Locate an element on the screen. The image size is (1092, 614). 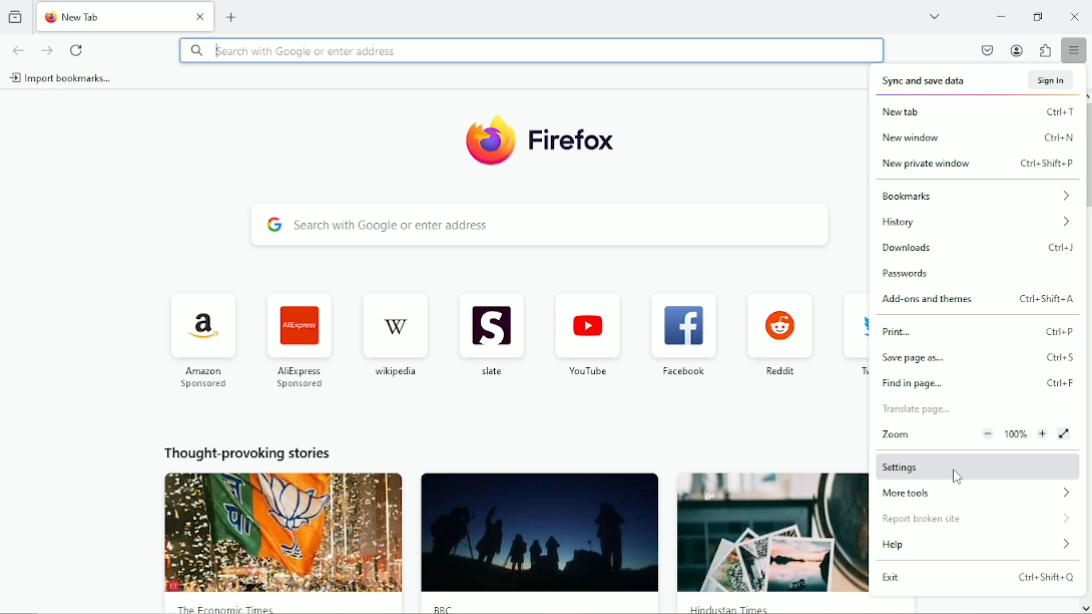
minimize is located at coordinates (1000, 15).